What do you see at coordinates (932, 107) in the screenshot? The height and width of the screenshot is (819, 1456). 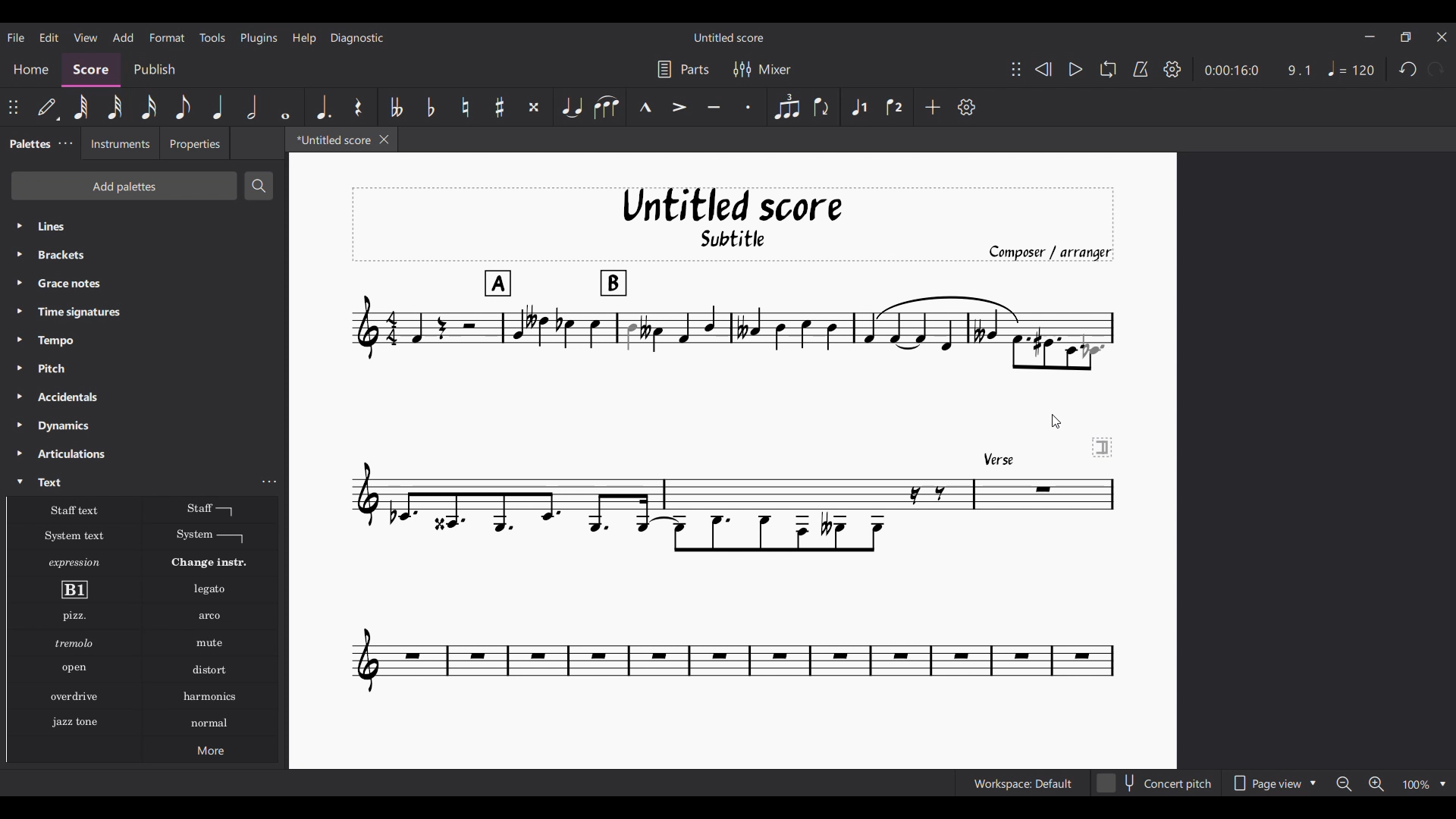 I see `Add` at bounding box center [932, 107].